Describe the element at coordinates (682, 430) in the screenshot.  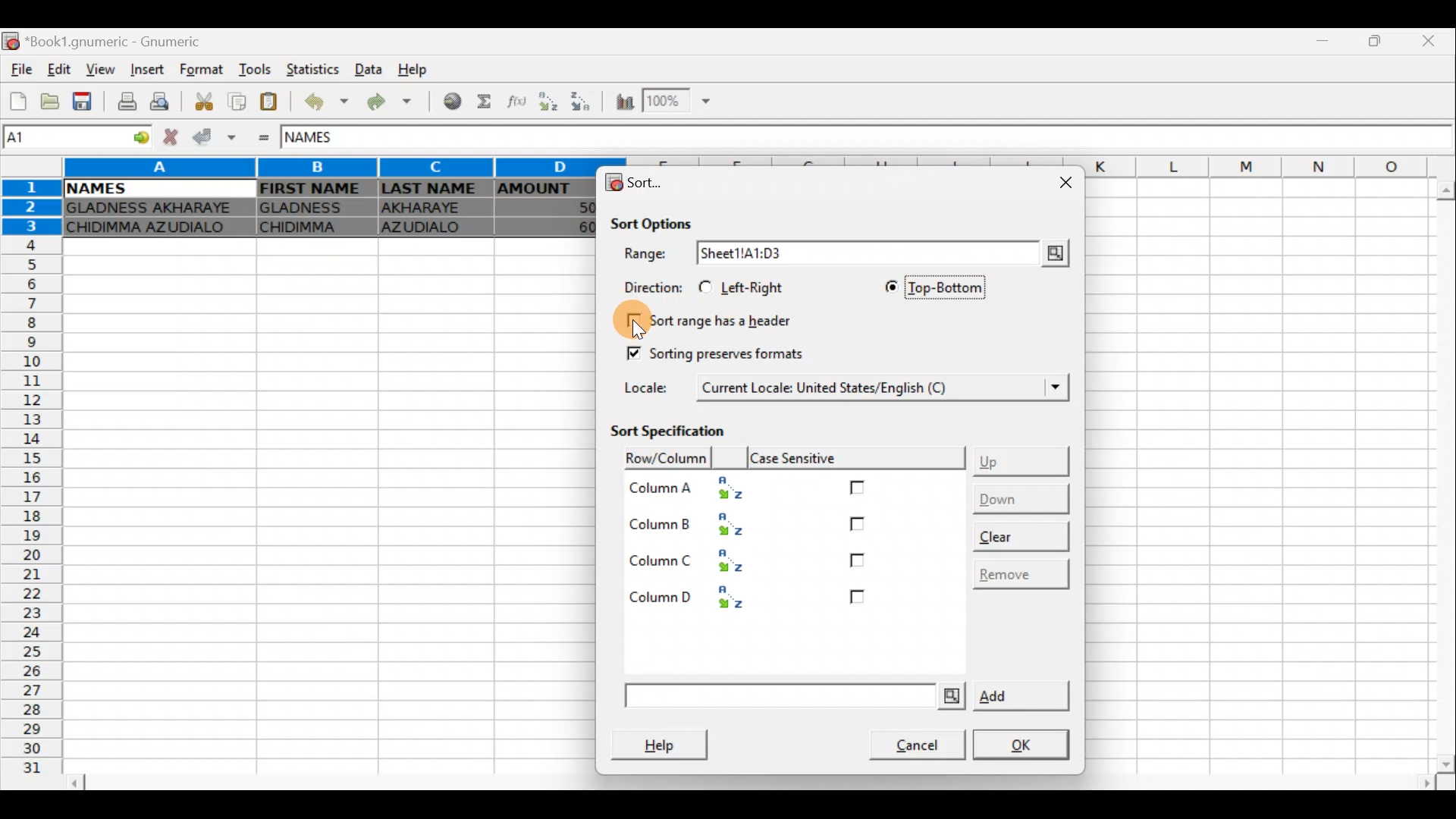
I see `Sort specification` at that location.